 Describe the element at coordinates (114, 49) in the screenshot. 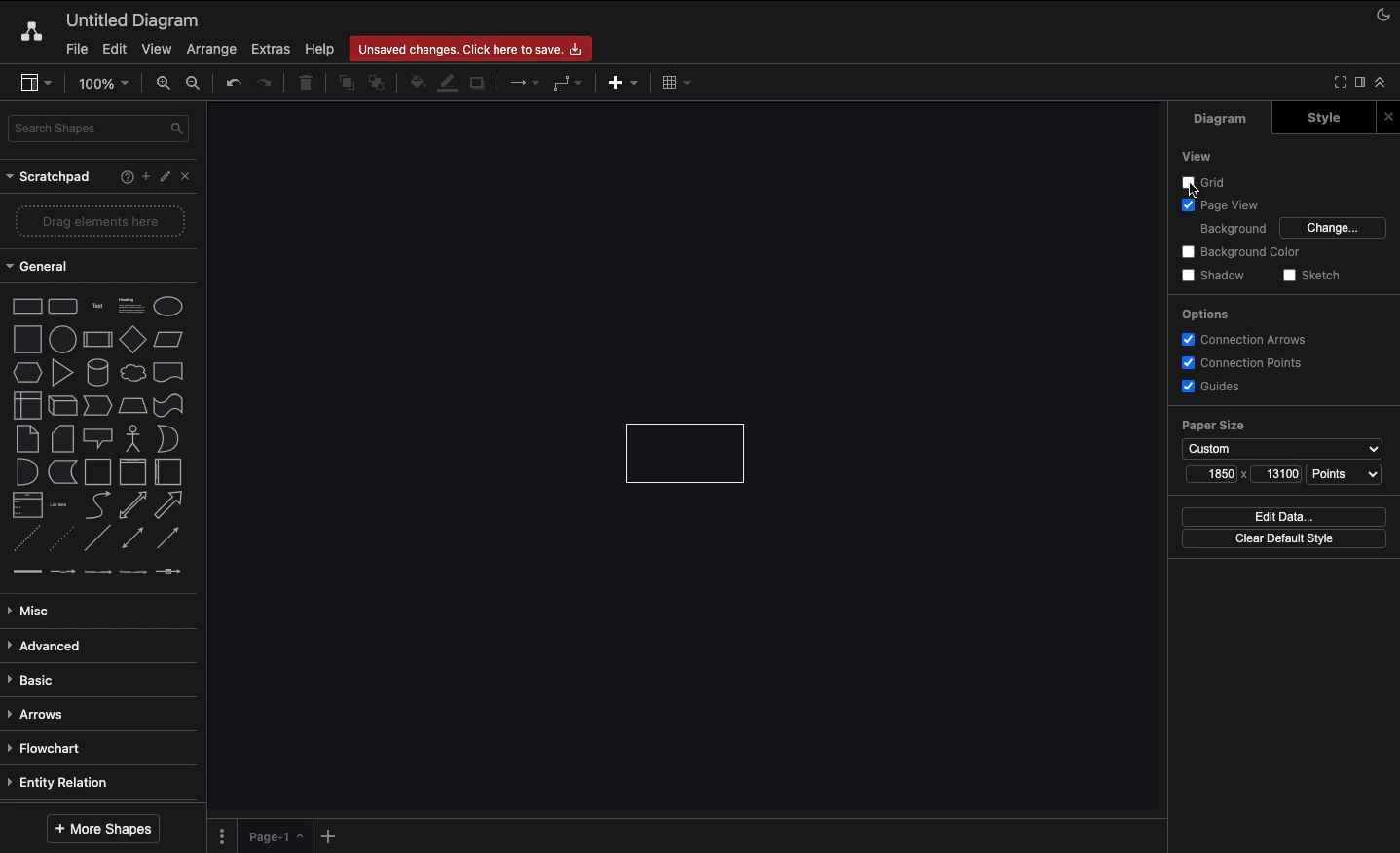

I see `Edit` at that location.